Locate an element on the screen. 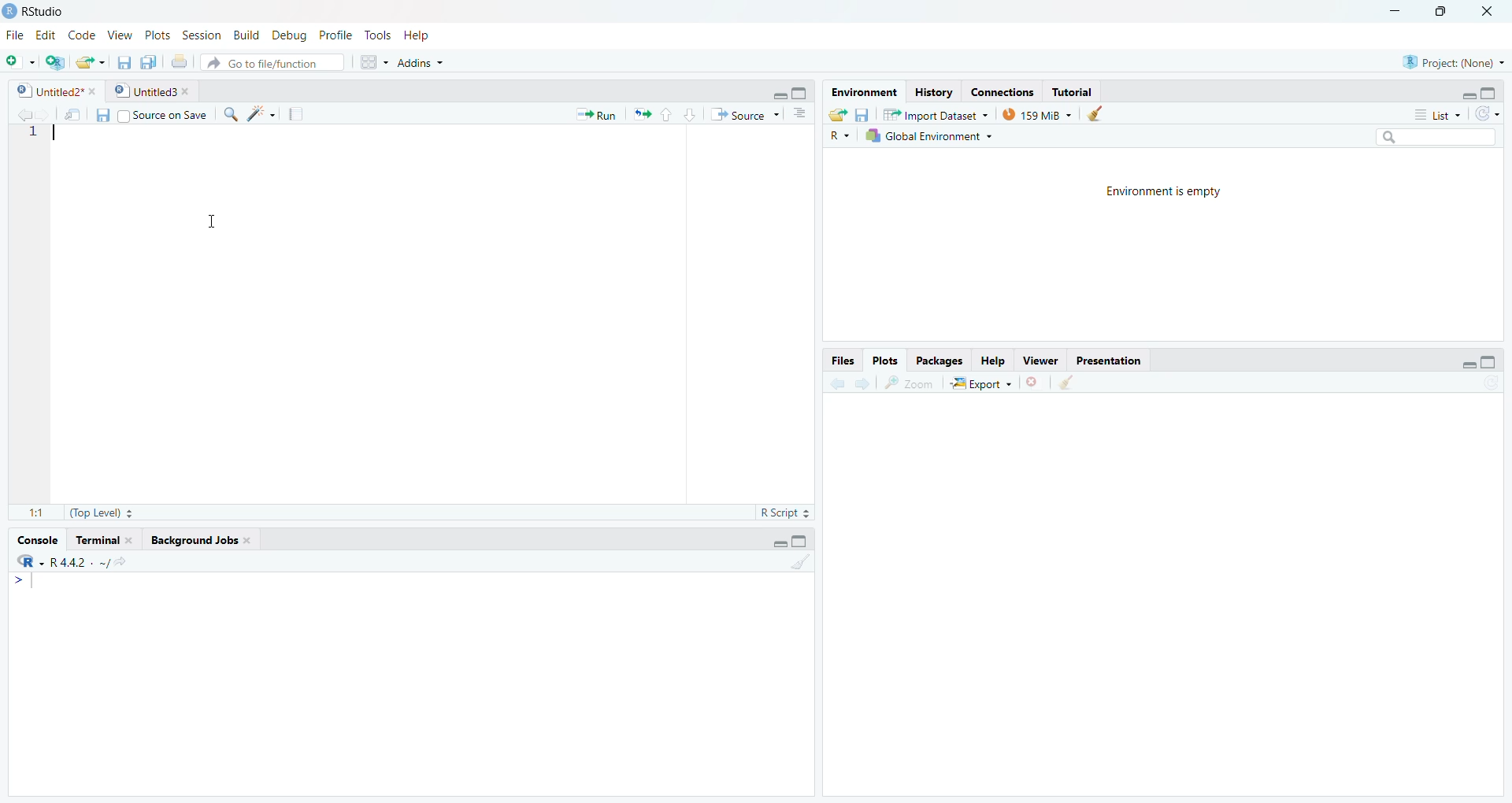 Image resolution: width=1512 pixels, height=803 pixels. Export is located at coordinates (982, 383).